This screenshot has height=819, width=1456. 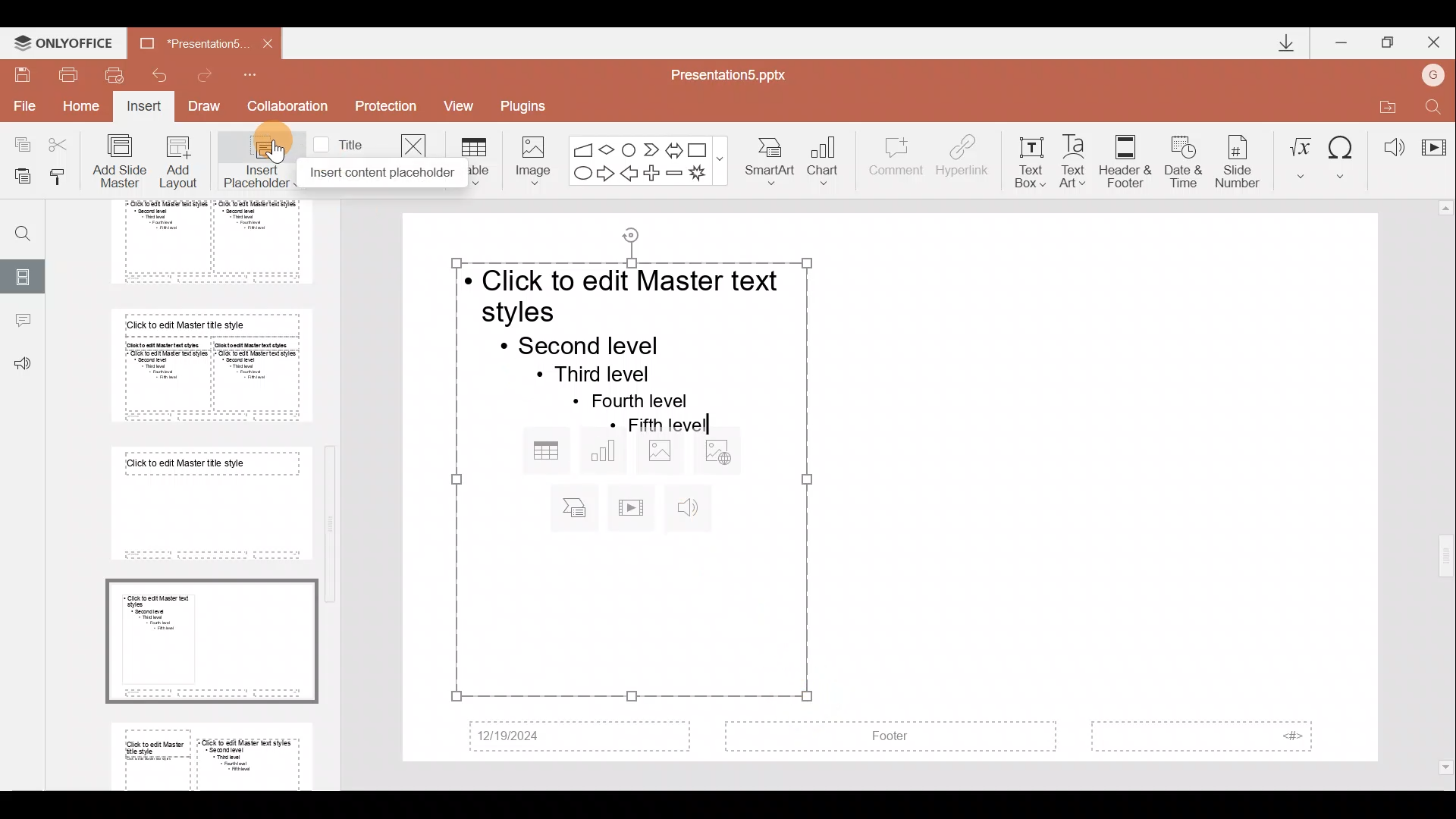 I want to click on Left arrow, so click(x=630, y=174).